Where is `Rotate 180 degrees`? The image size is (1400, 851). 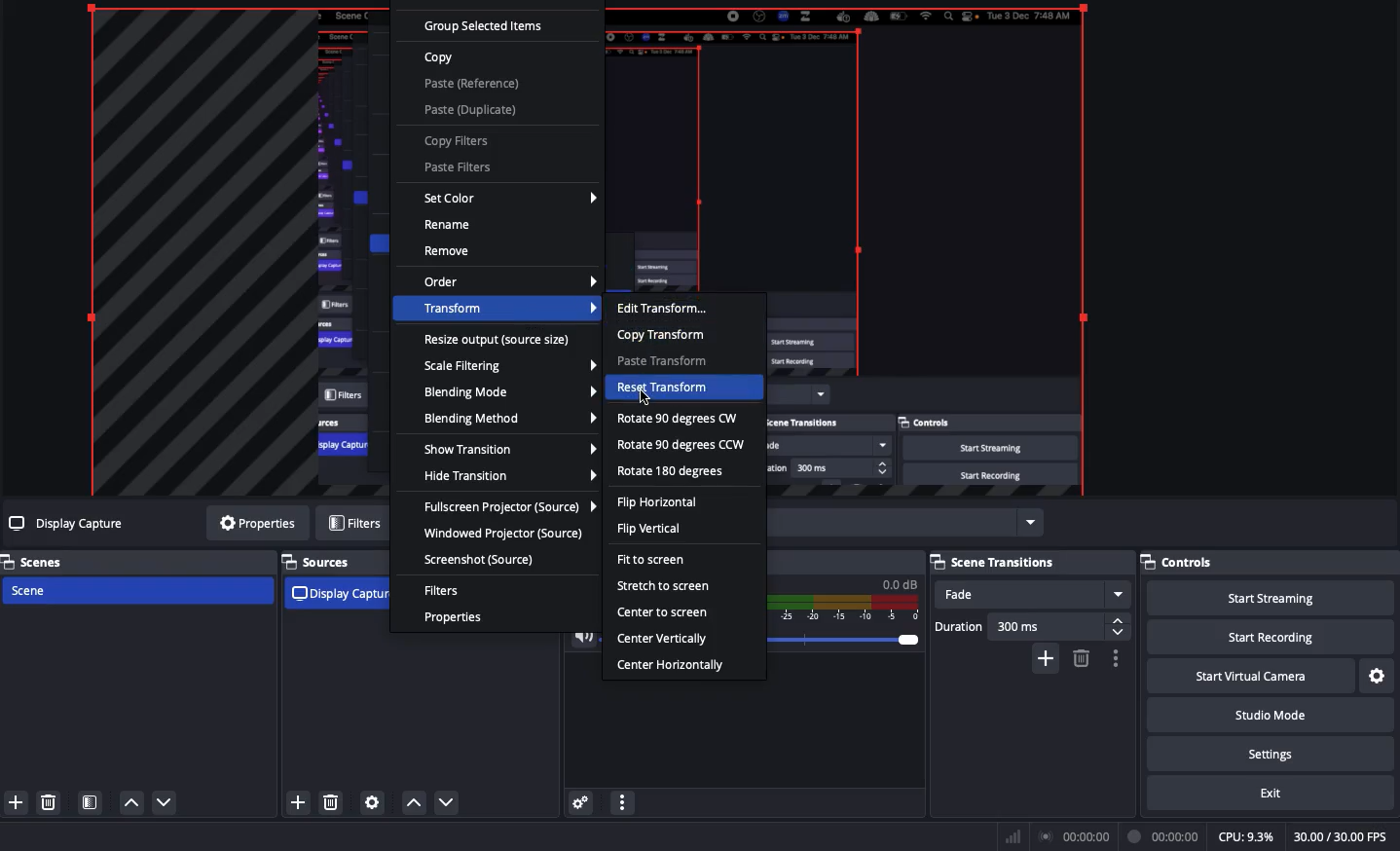
Rotate 180 degrees is located at coordinates (671, 473).